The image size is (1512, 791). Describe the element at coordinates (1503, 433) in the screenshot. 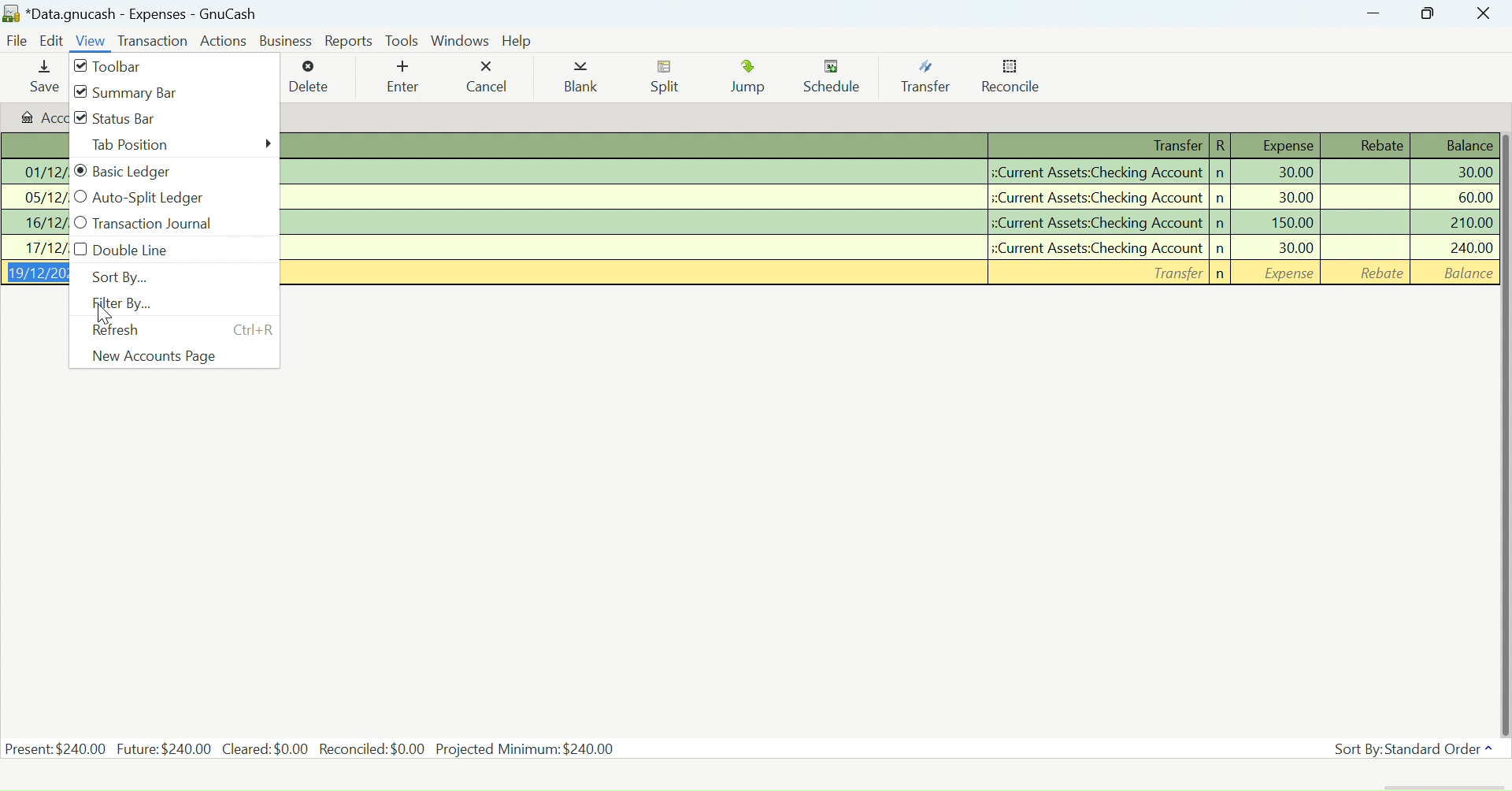

I see `vertical scroll bar` at that location.